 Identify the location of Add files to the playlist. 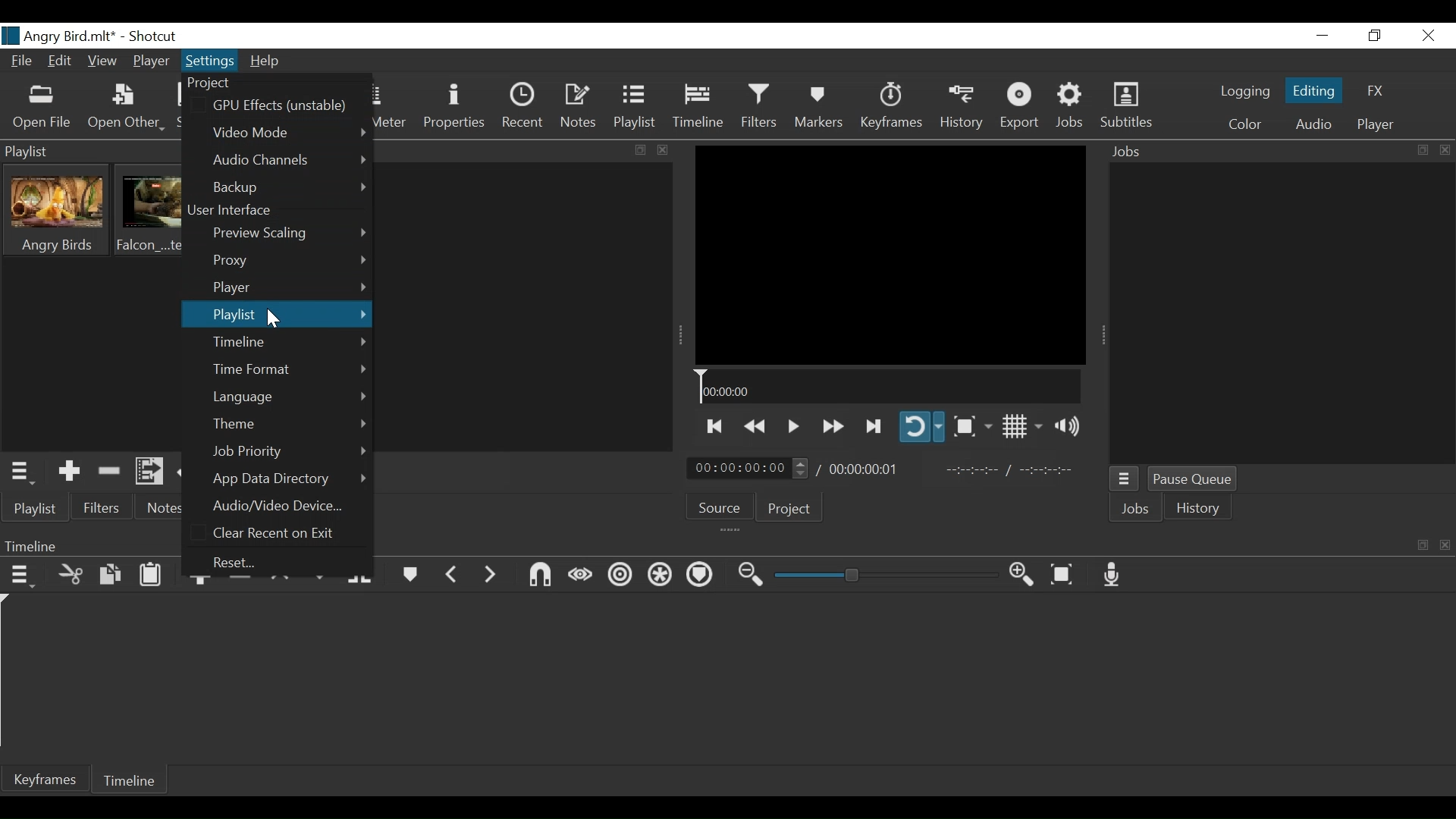
(149, 472).